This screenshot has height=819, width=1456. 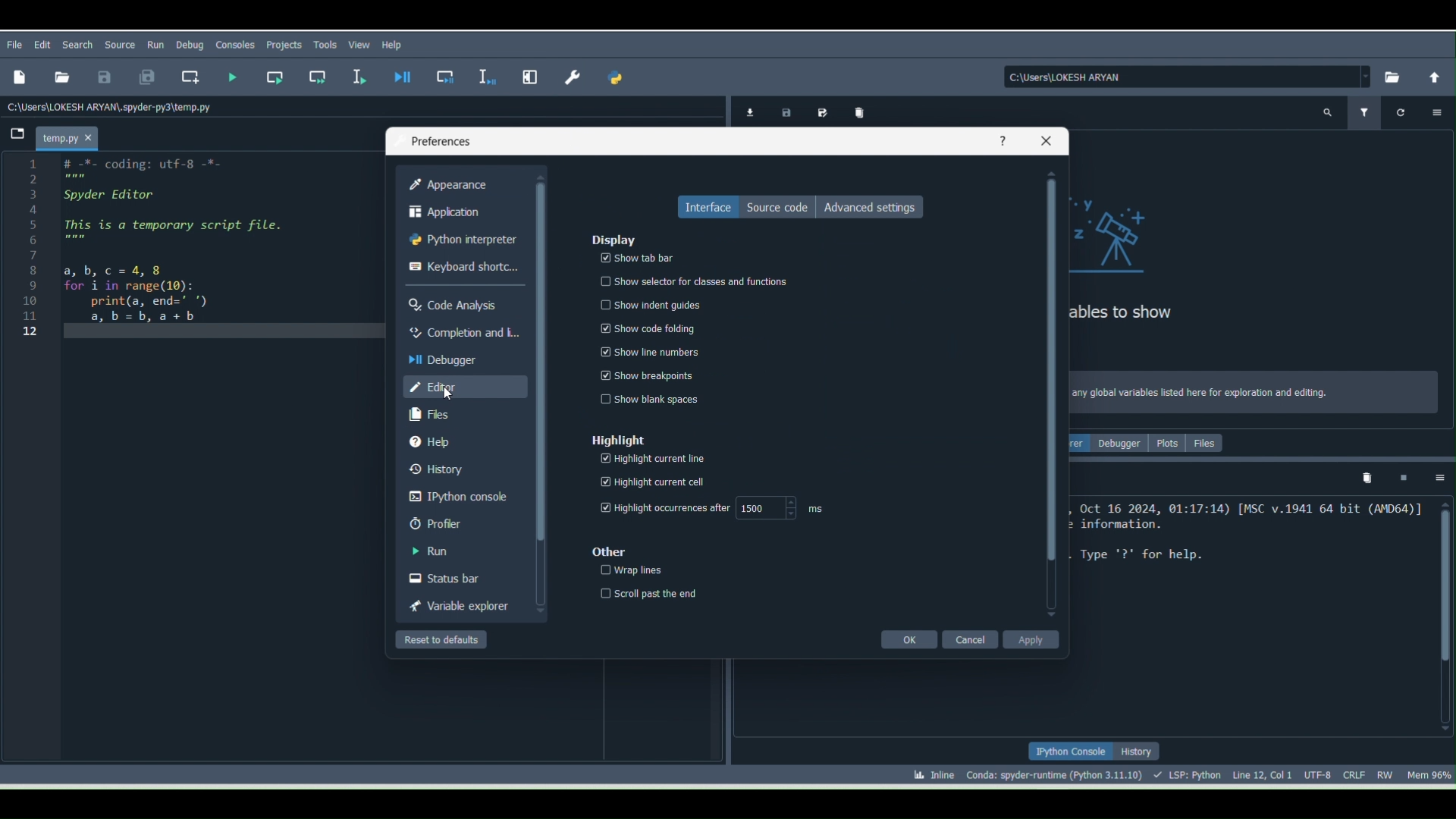 What do you see at coordinates (1188, 77) in the screenshot?
I see `File path` at bounding box center [1188, 77].